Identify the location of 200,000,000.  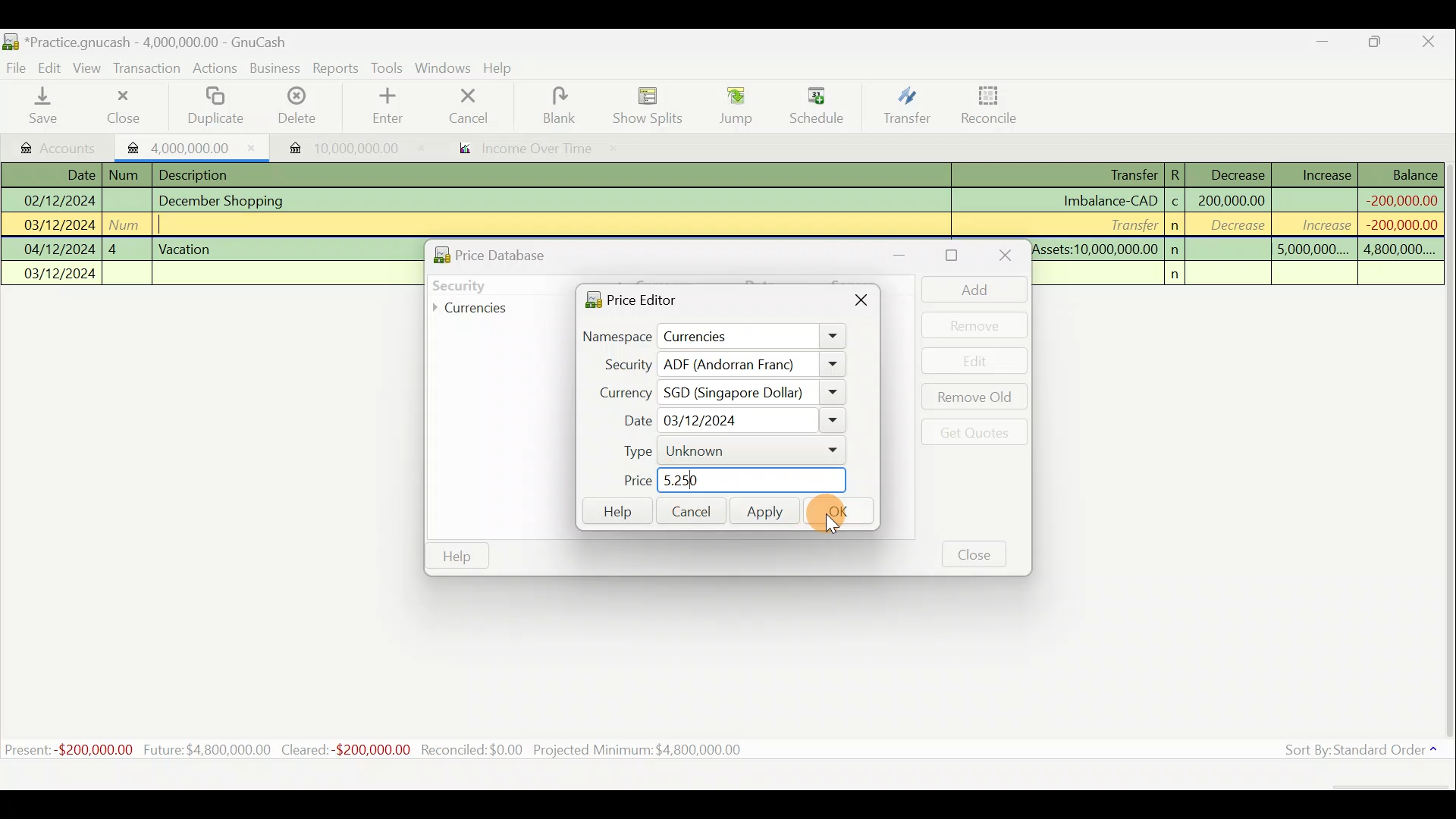
(1230, 200).